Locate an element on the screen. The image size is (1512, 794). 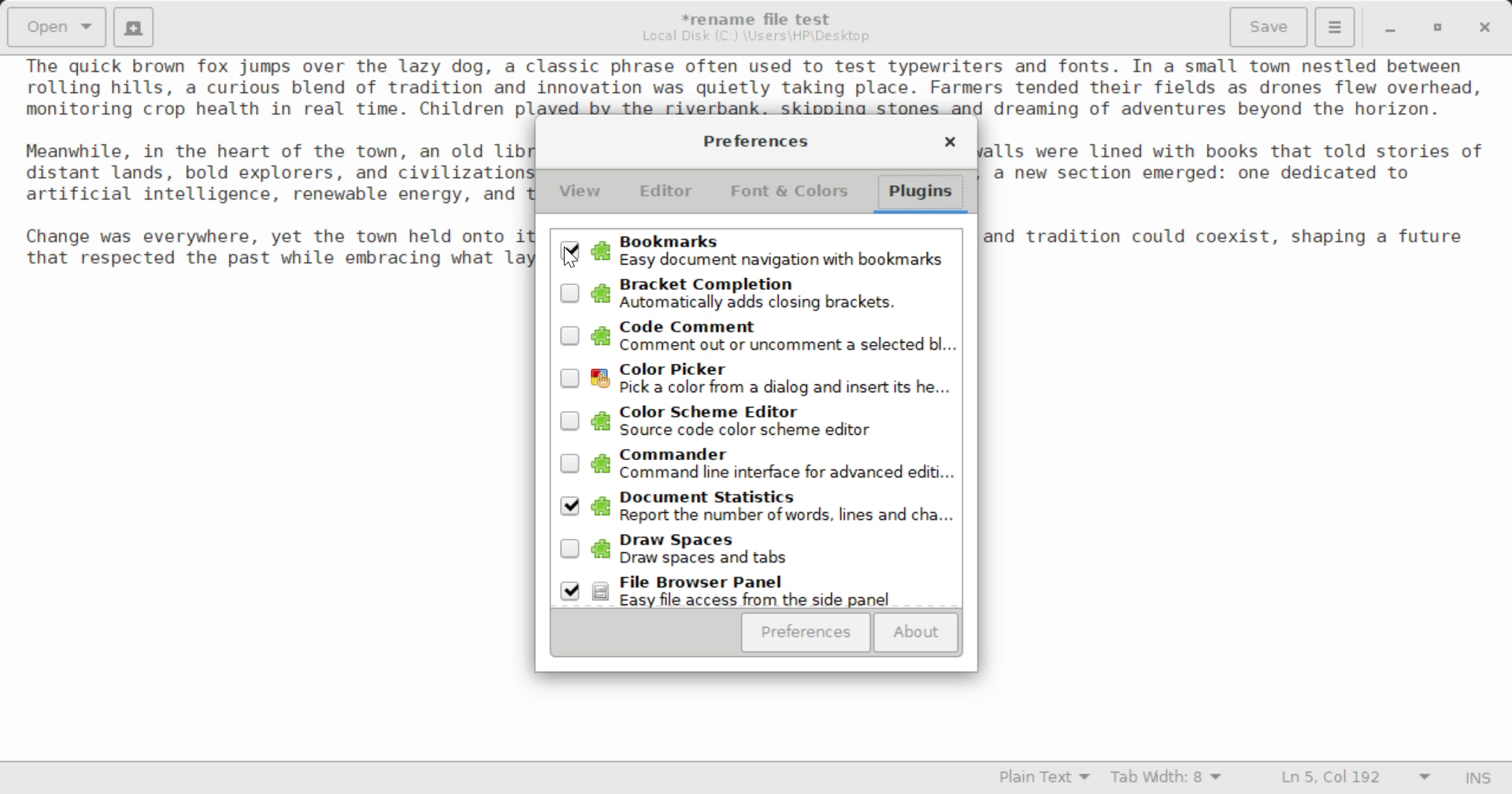
Close Window is located at coordinates (950, 144).